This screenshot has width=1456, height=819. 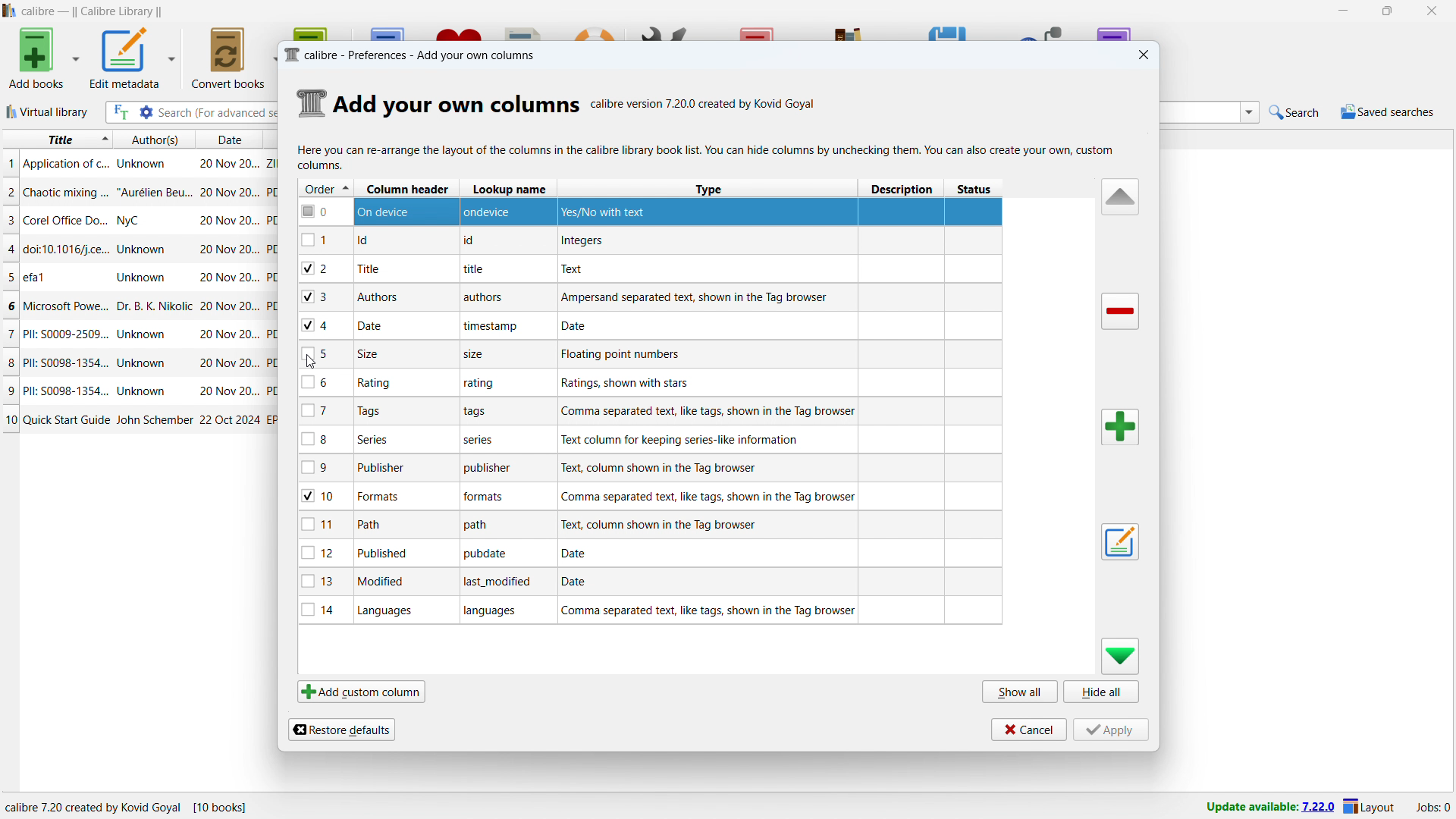 I want to click on last_modified, so click(x=500, y=583).